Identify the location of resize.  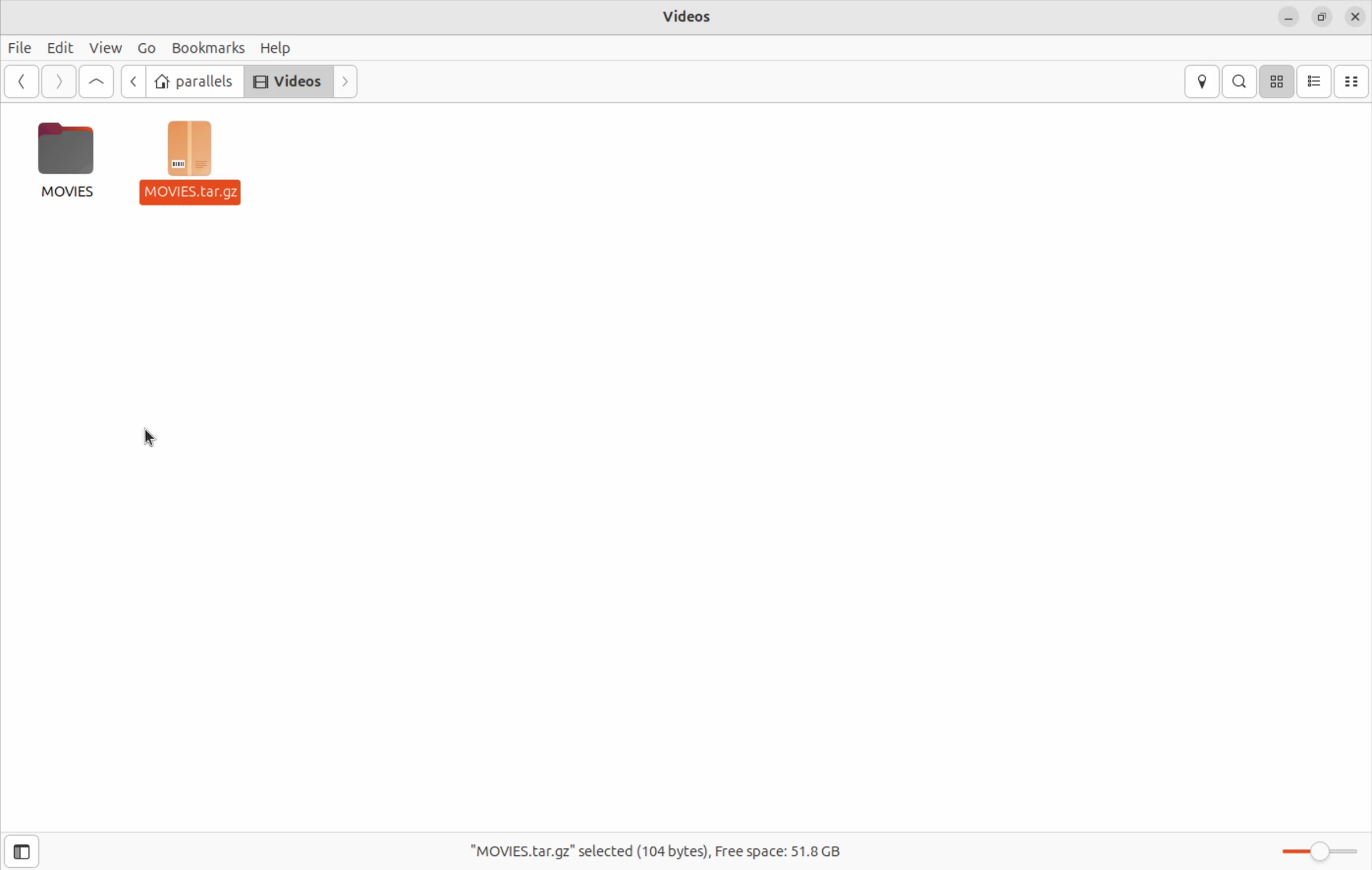
(1321, 18).